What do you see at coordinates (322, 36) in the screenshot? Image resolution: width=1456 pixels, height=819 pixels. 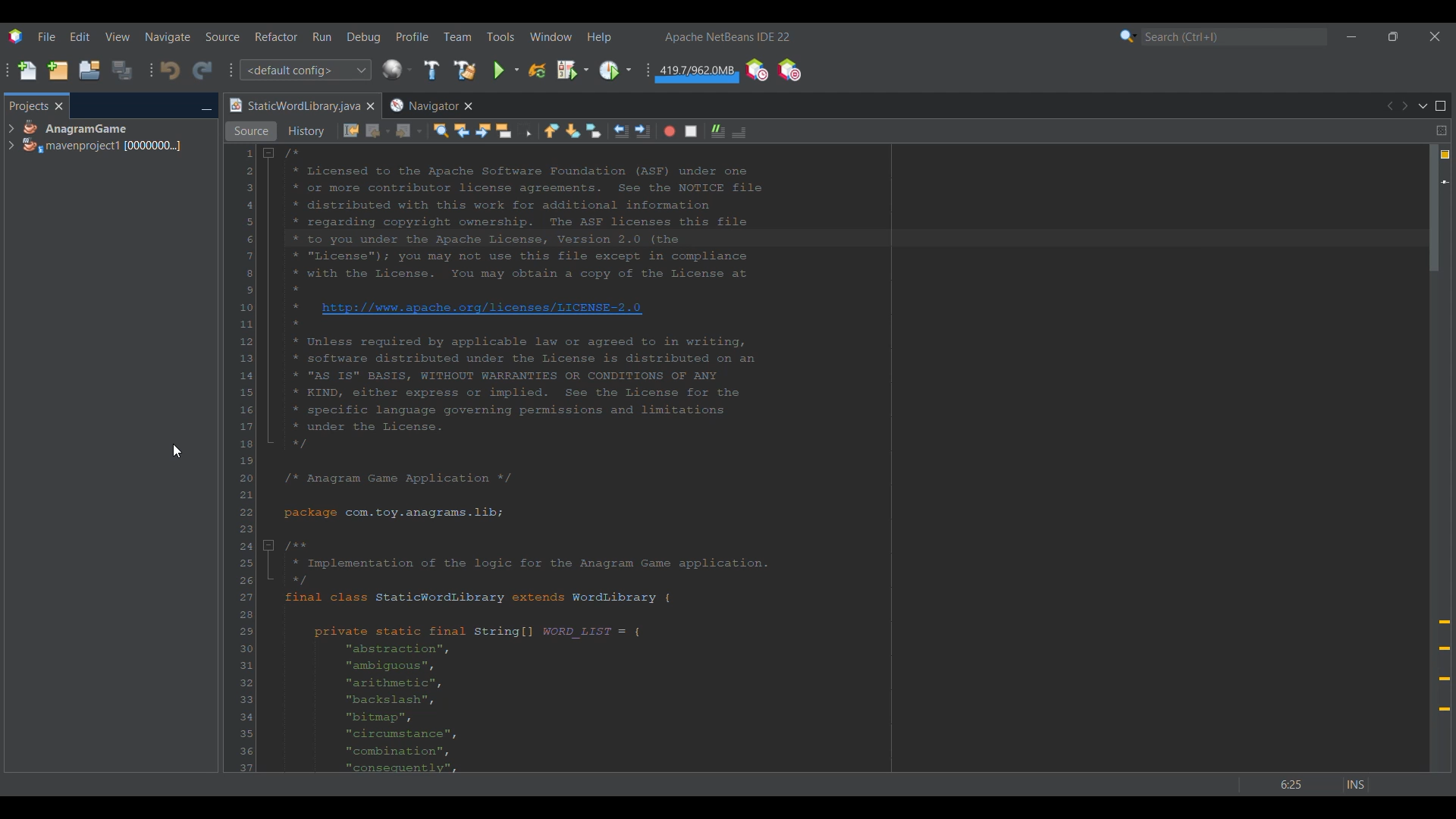 I see `Run menu` at bounding box center [322, 36].